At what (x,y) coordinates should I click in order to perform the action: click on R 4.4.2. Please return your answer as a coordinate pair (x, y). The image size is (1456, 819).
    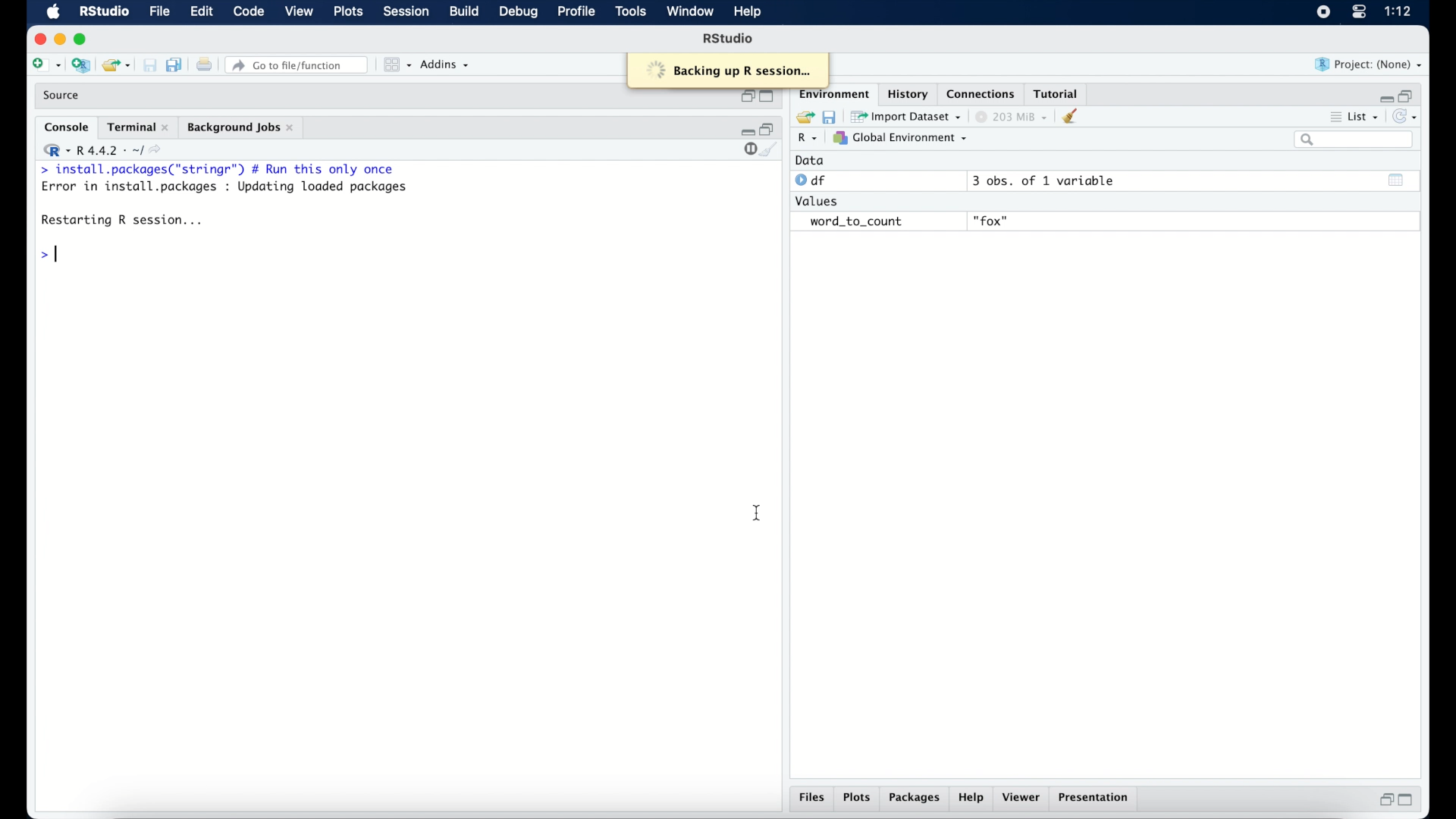
    Looking at the image, I should click on (102, 150).